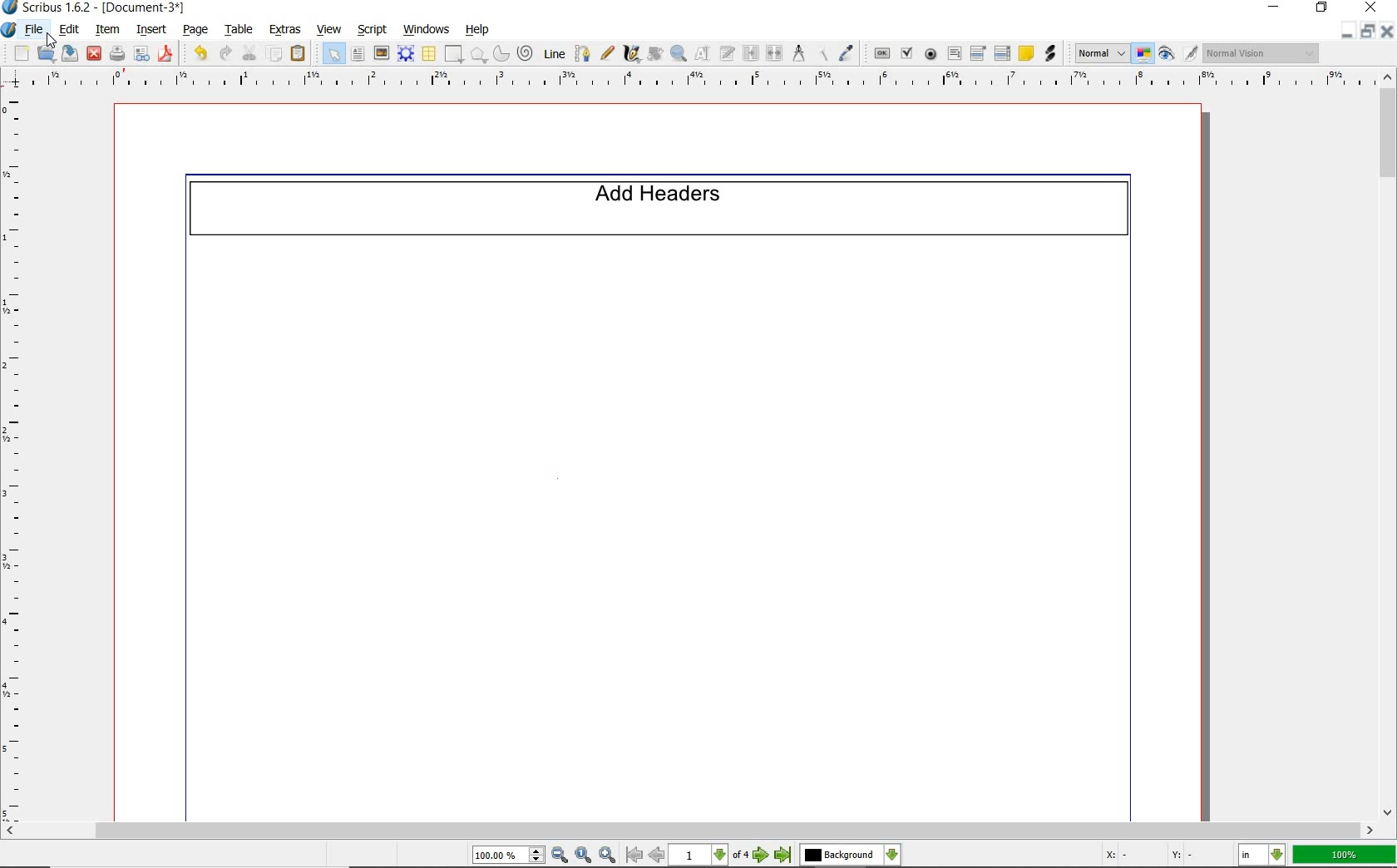 Image resolution: width=1397 pixels, height=868 pixels. I want to click on print, so click(117, 54).